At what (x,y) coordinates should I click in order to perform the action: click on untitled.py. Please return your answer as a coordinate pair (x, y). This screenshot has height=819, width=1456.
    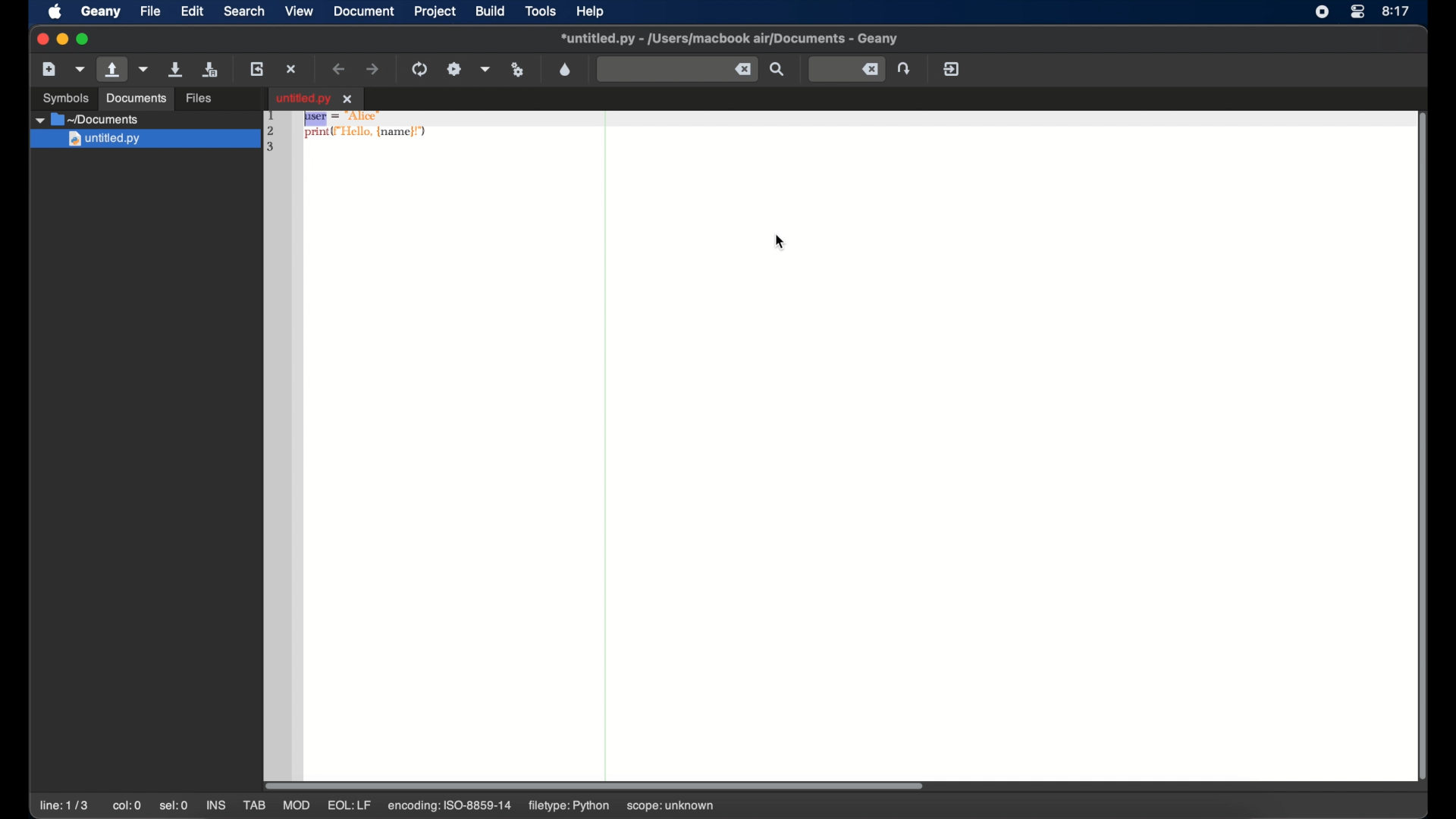
    Looking at the image, I should click on (148, 119).